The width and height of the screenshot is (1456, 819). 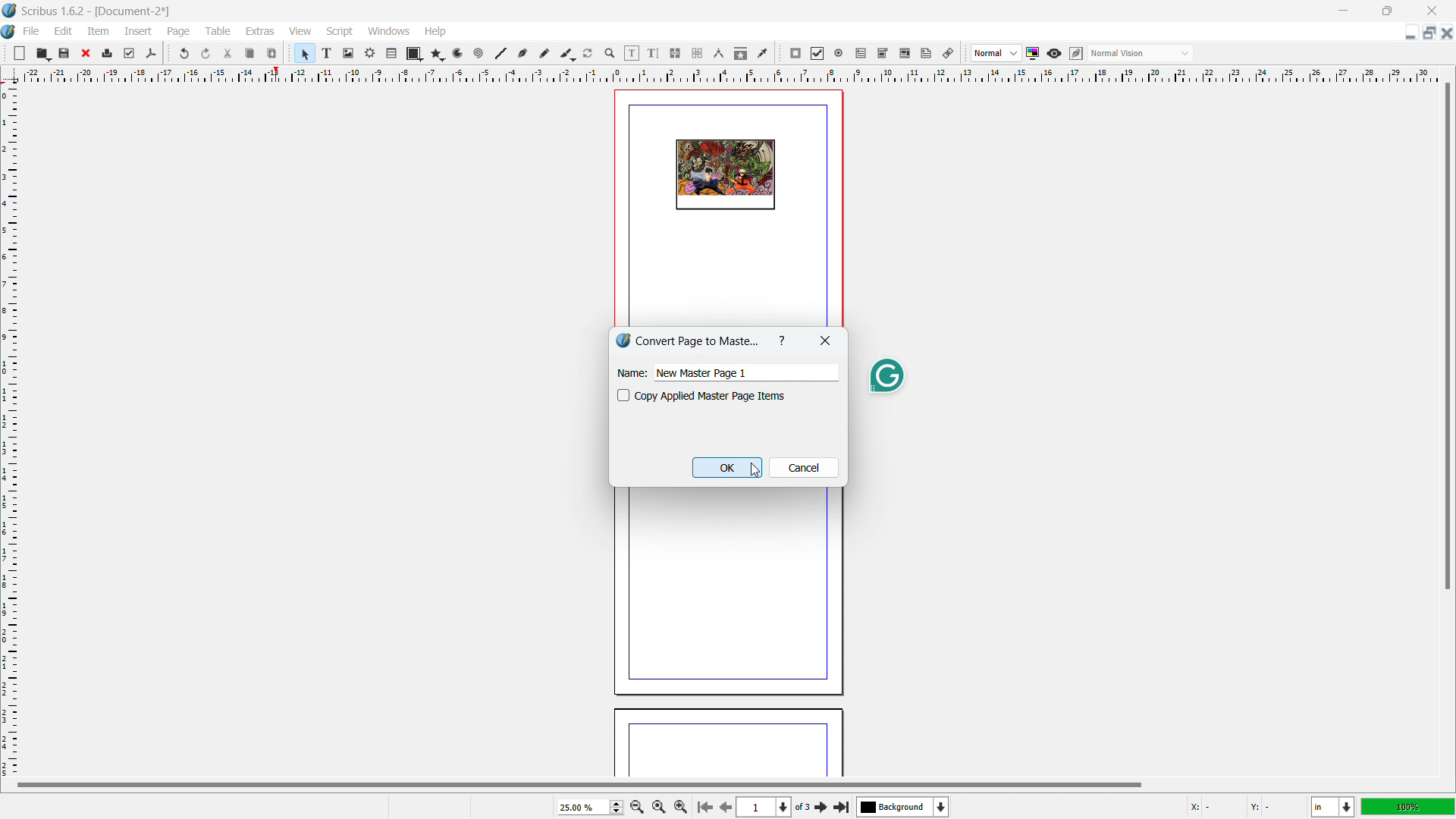 I want to click on help, so click(x=436, y=32).